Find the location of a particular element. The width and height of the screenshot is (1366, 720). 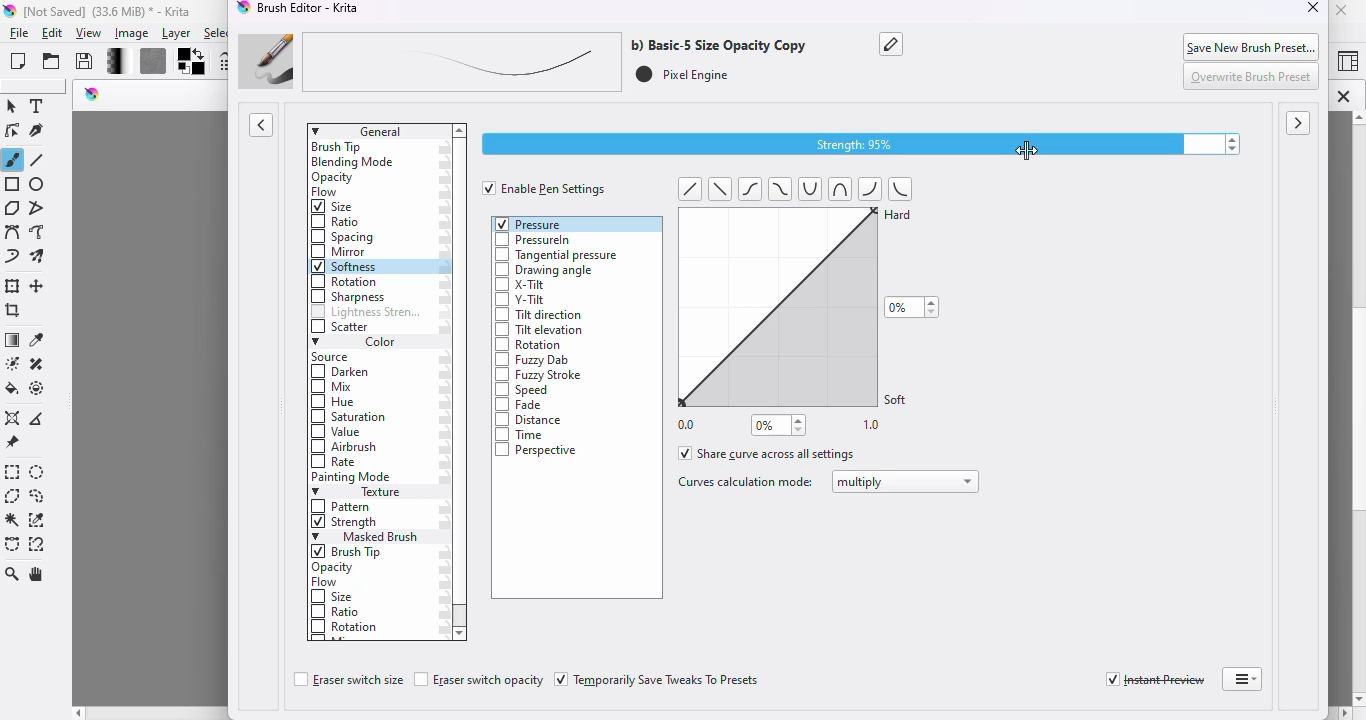

detach brush editor is located at coordinates (1242, 679).